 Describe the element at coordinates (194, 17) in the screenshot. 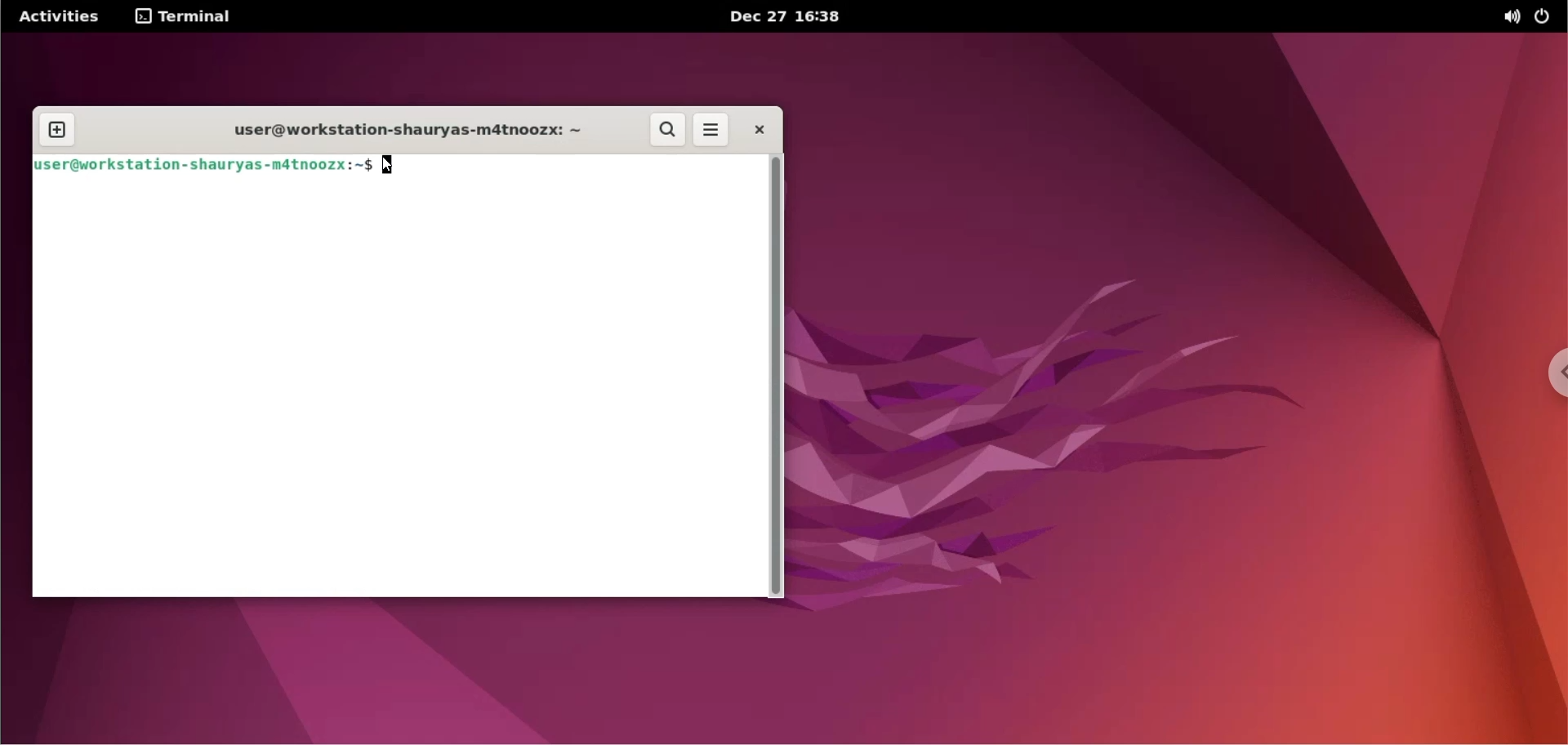

I see `Terminal` at that location.